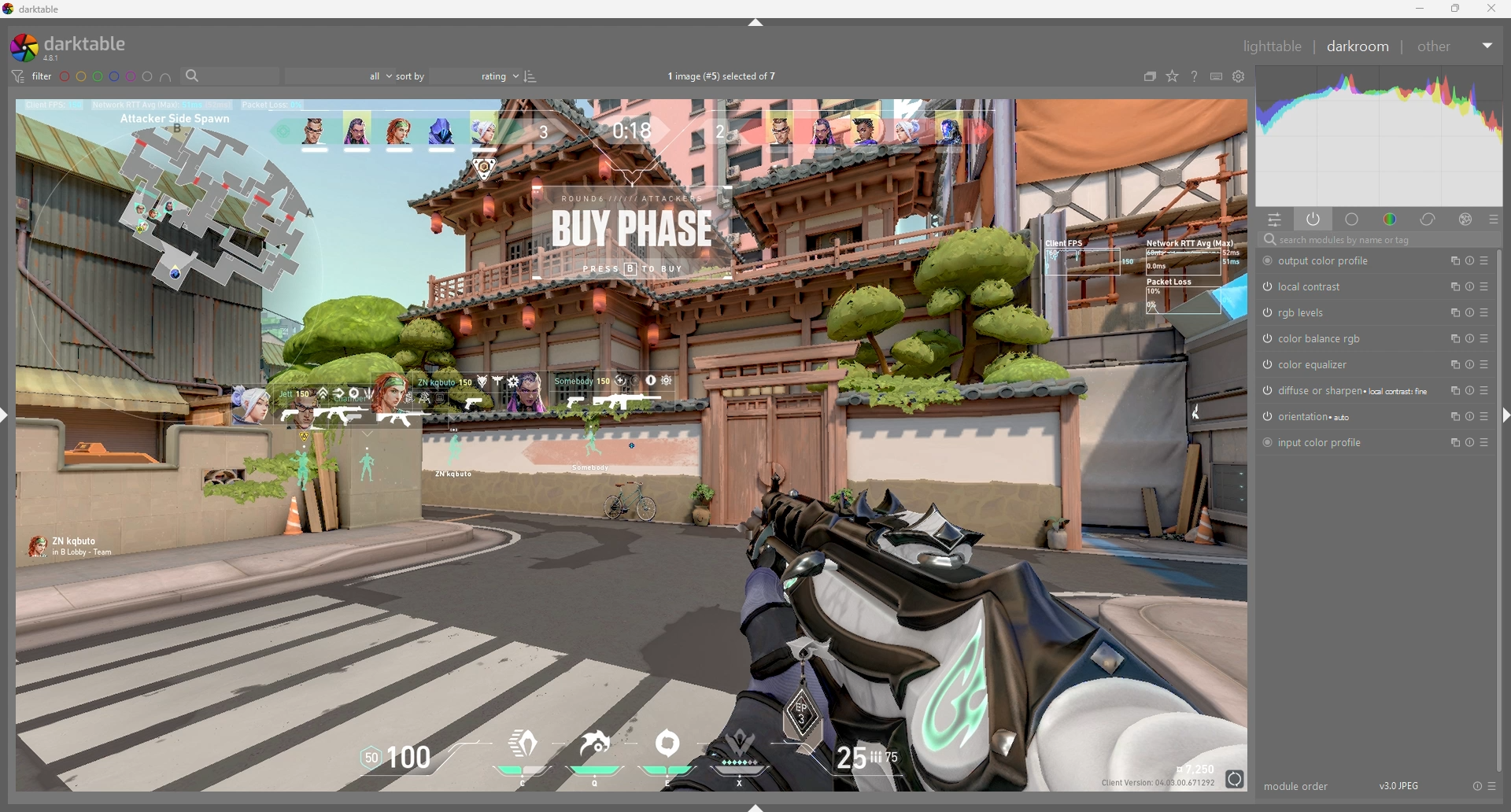 This screenshot has width=1511, height=812. I want to click on reset, so click(1469, 365).